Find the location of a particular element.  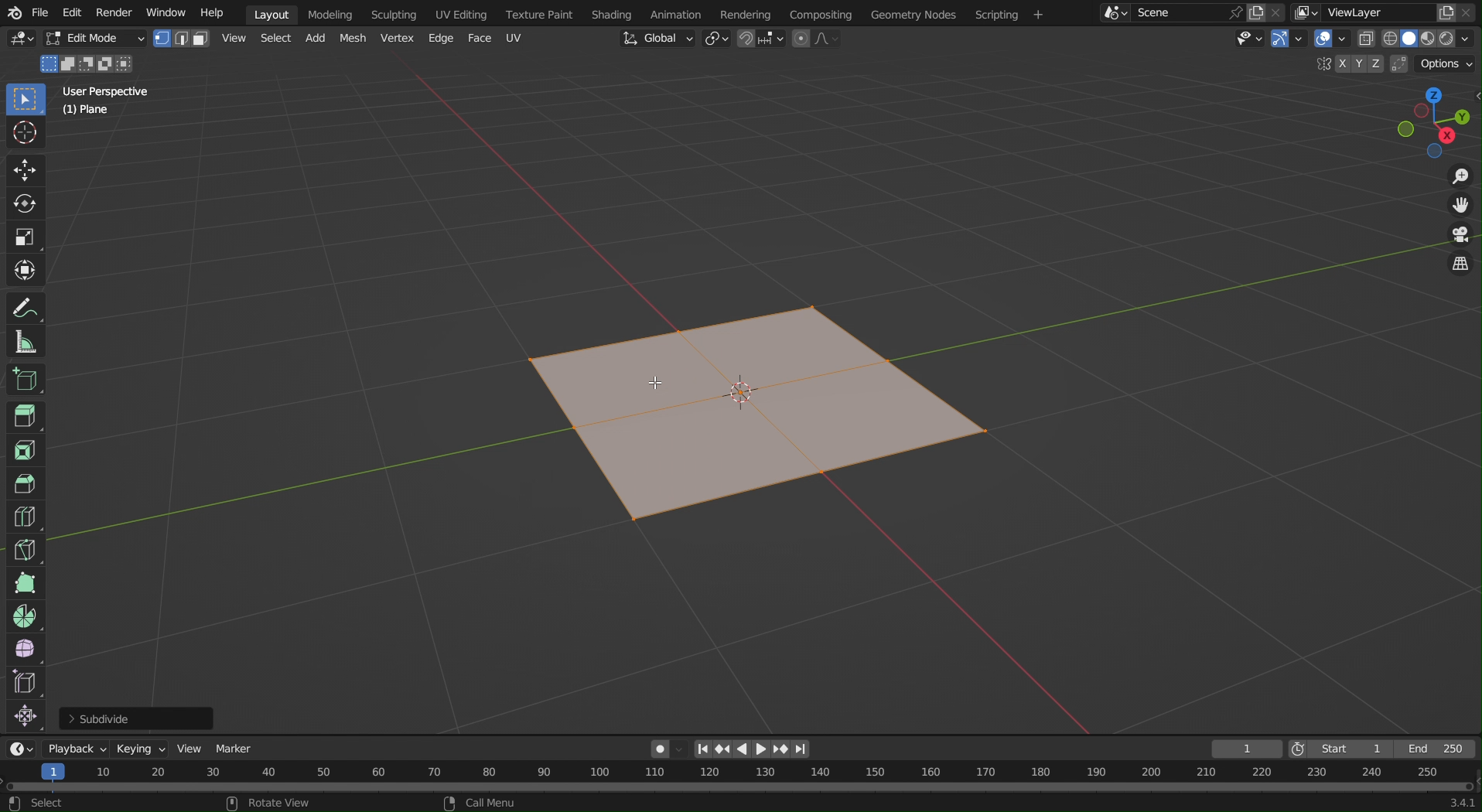

Start is located at coordinates (1333, 749).